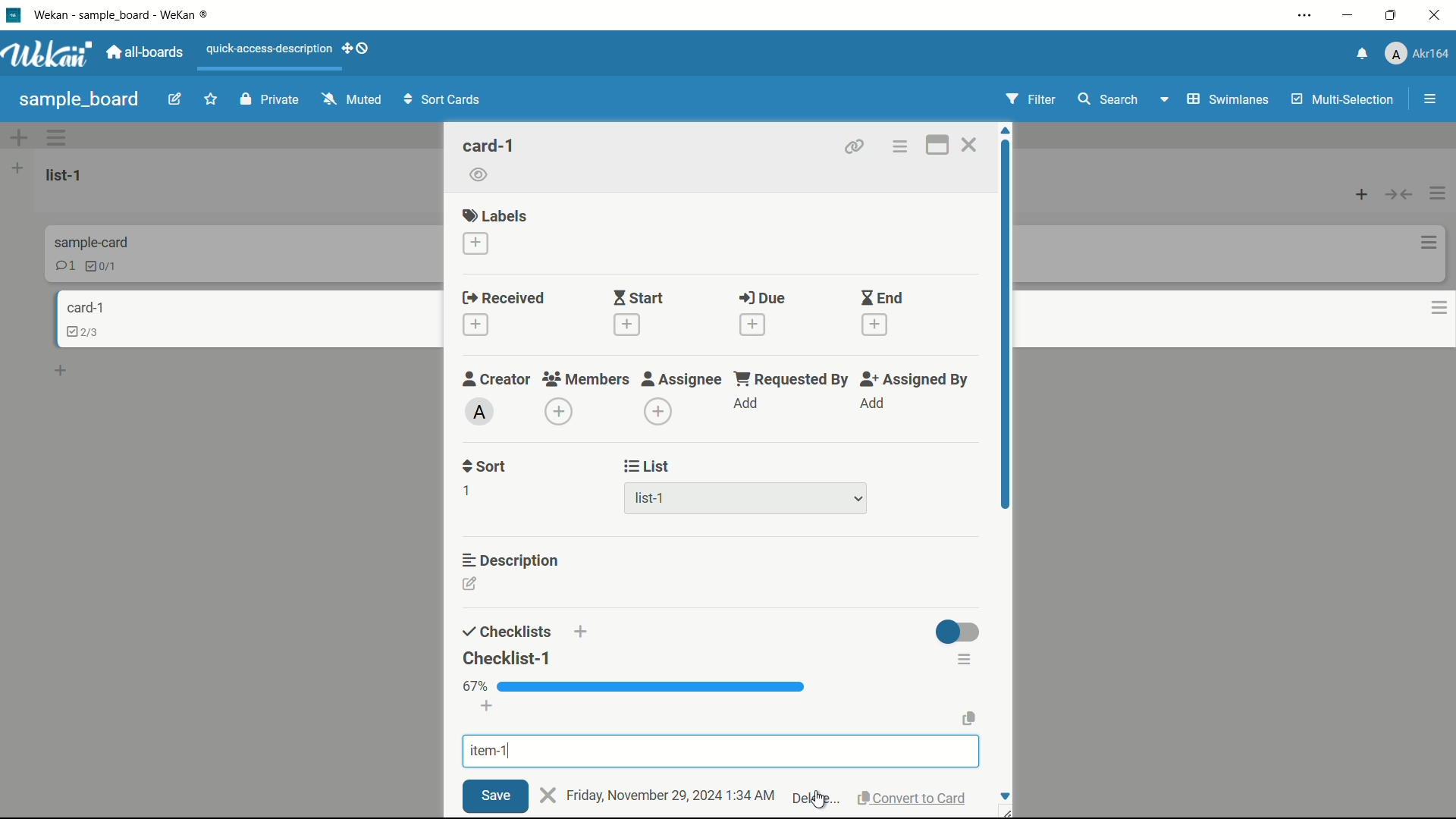  What do you see at coordinates (1423, 242) in the screenshot?
I see `card actions` at bounding box center [1423, 242].